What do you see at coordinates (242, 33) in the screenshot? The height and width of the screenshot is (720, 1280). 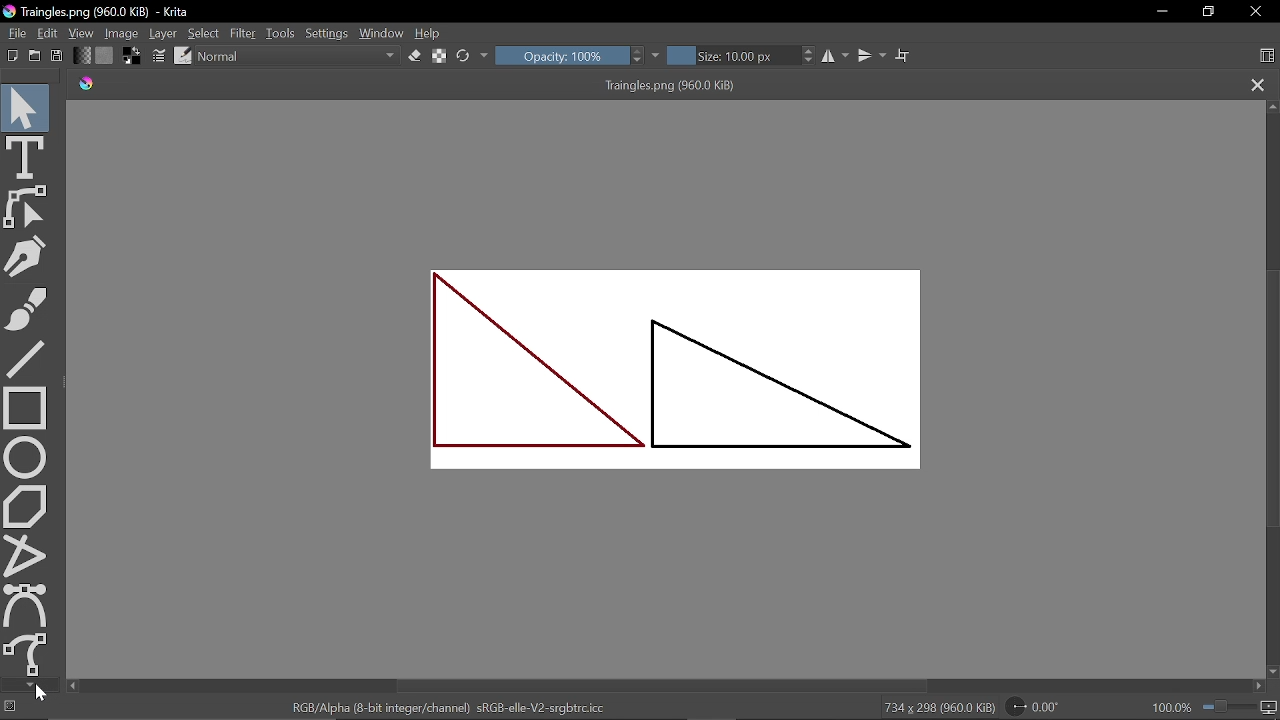 I see `Filter` at bounding box center [242, 33].